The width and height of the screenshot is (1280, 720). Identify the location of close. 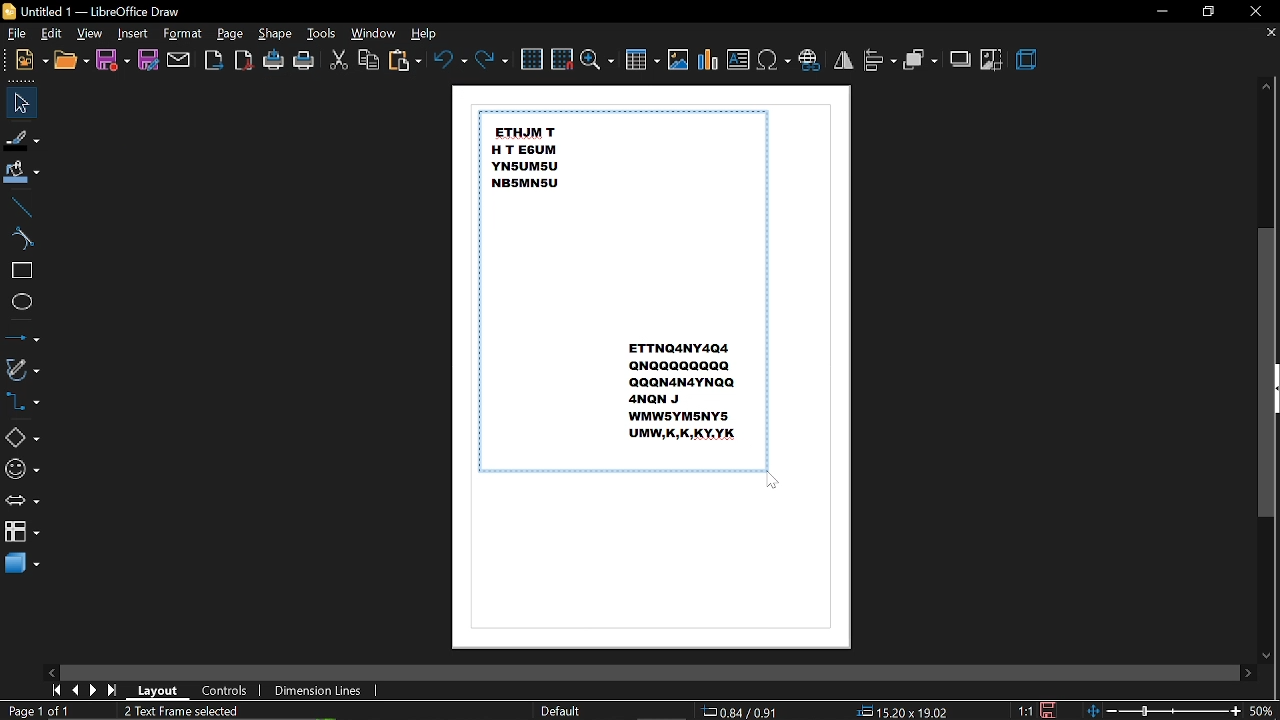
(1258, 11).